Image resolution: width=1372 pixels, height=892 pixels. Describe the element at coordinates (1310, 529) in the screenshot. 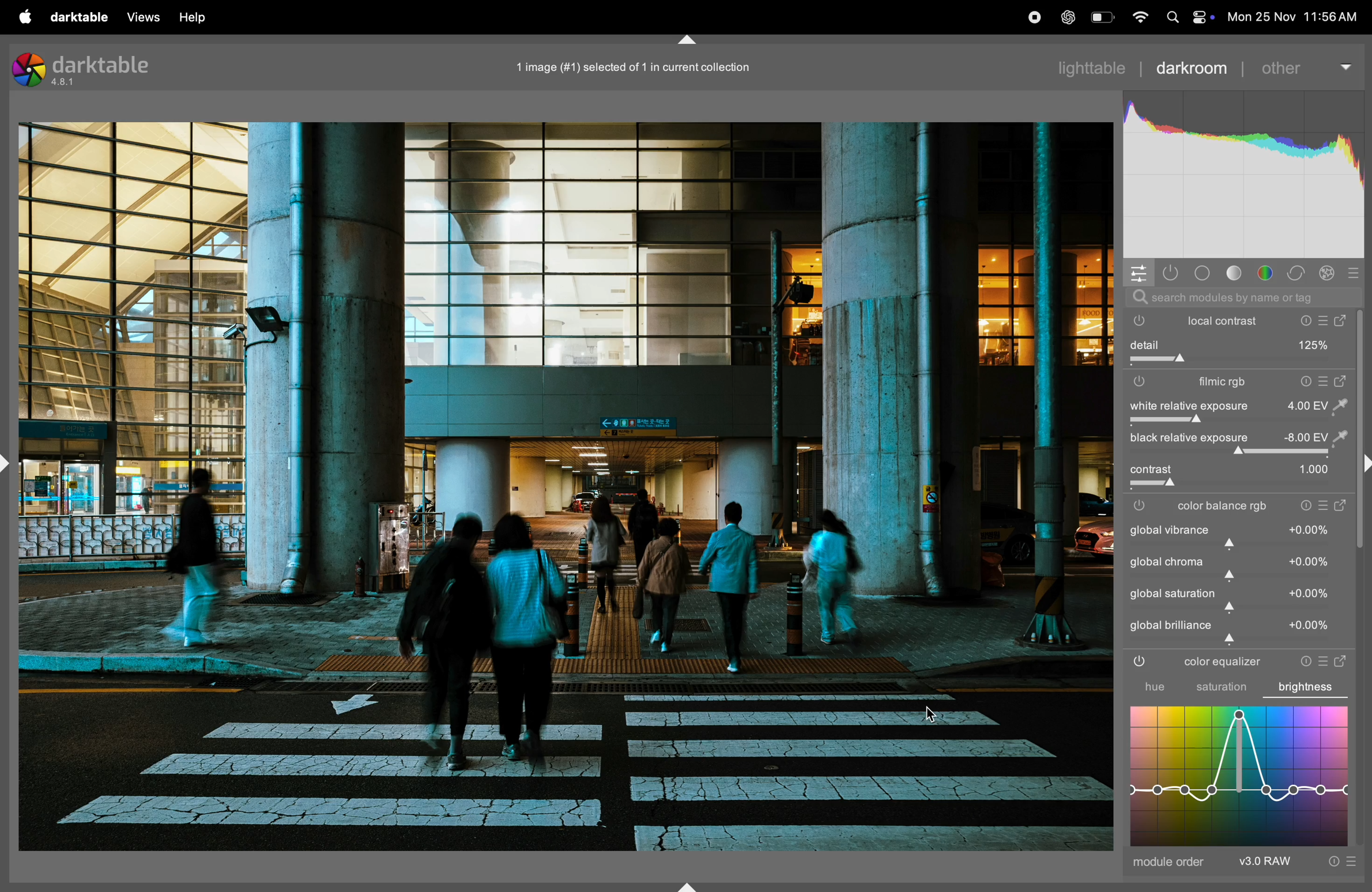

I see `value` at that location.